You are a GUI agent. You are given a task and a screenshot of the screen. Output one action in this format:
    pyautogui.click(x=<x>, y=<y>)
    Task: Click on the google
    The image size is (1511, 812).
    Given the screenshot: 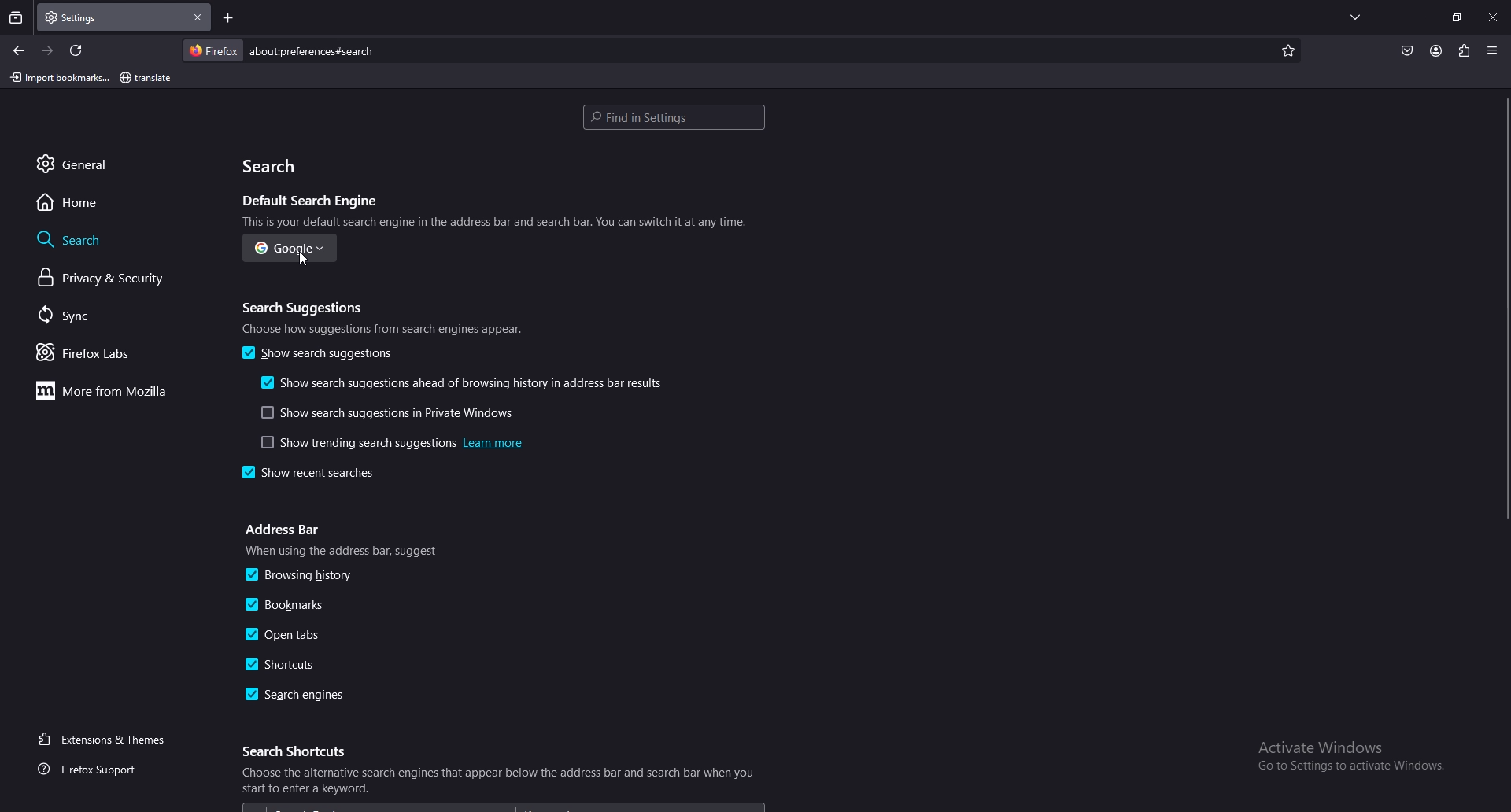 What is the action you would take?
    pyautogui.click(x=289, y=252)
    